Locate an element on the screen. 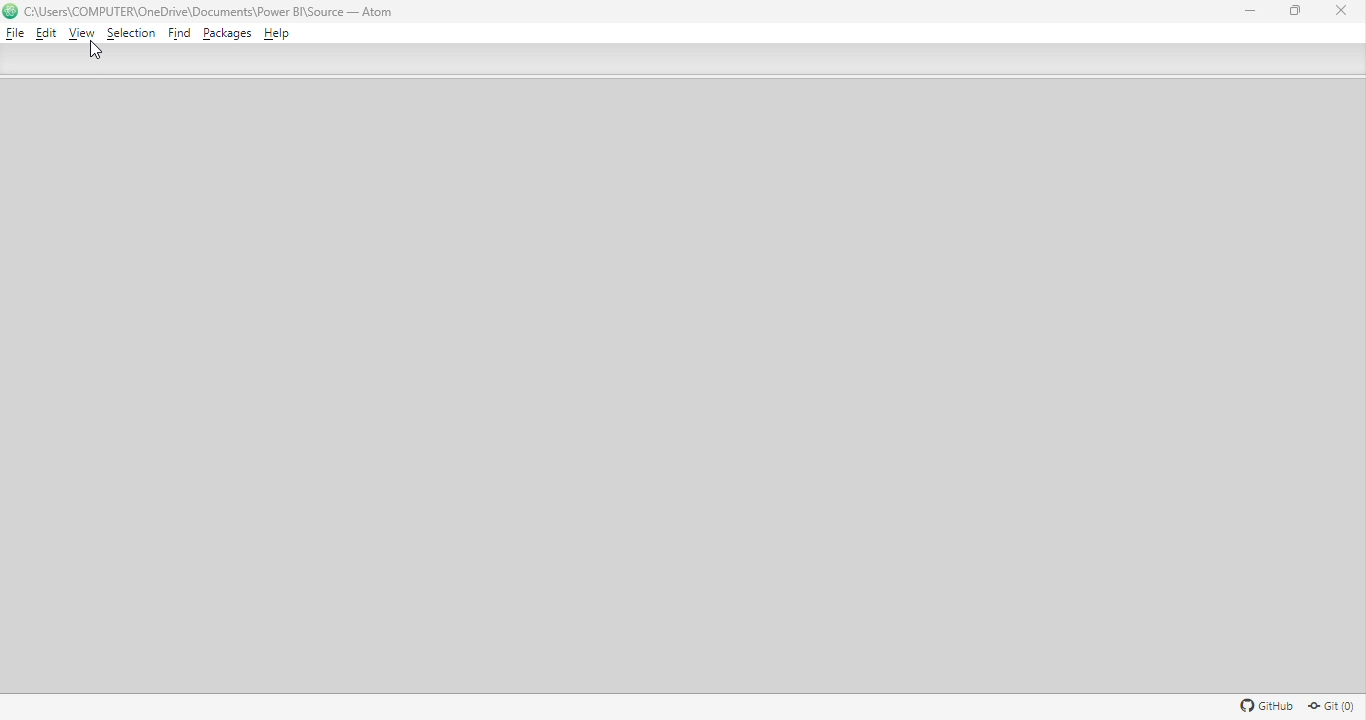 This screenshot has width=1366, height=720. Edit is located at coordinates (45, 35).